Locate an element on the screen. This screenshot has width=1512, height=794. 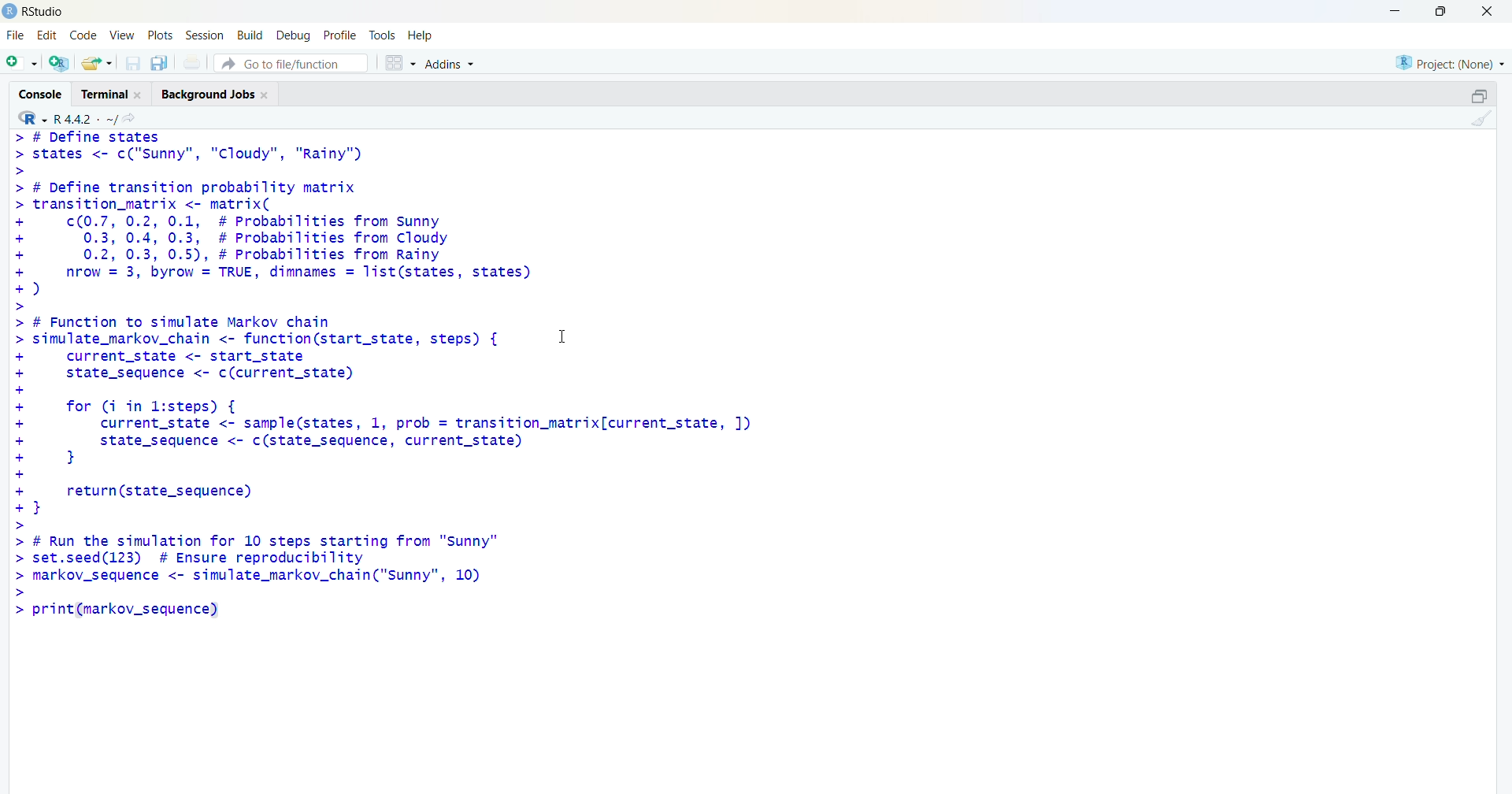
print the current file is located at coordinates (195, 62).